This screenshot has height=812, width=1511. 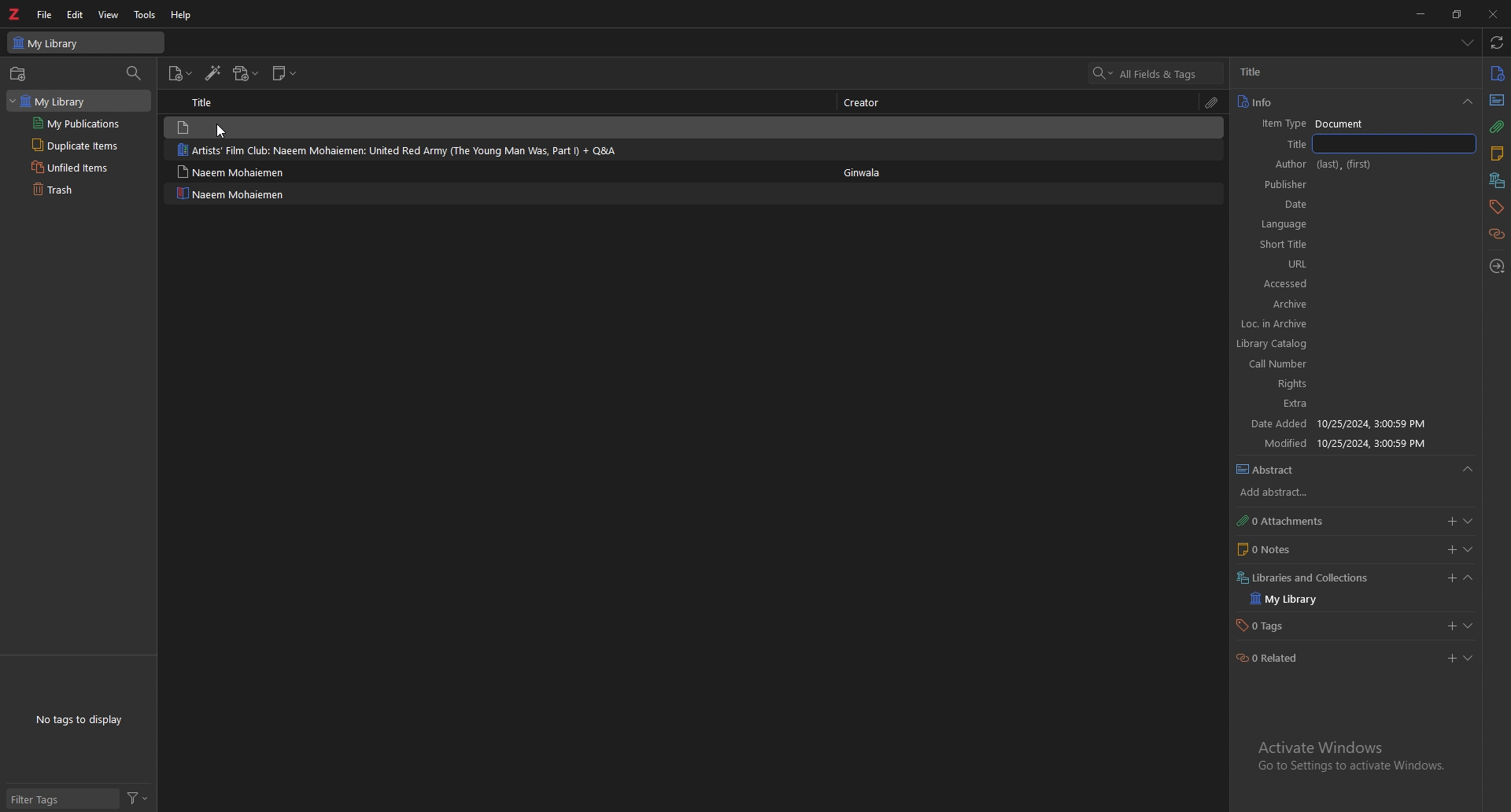 I want to click on 0 Related, so click(x=1270, y=655).